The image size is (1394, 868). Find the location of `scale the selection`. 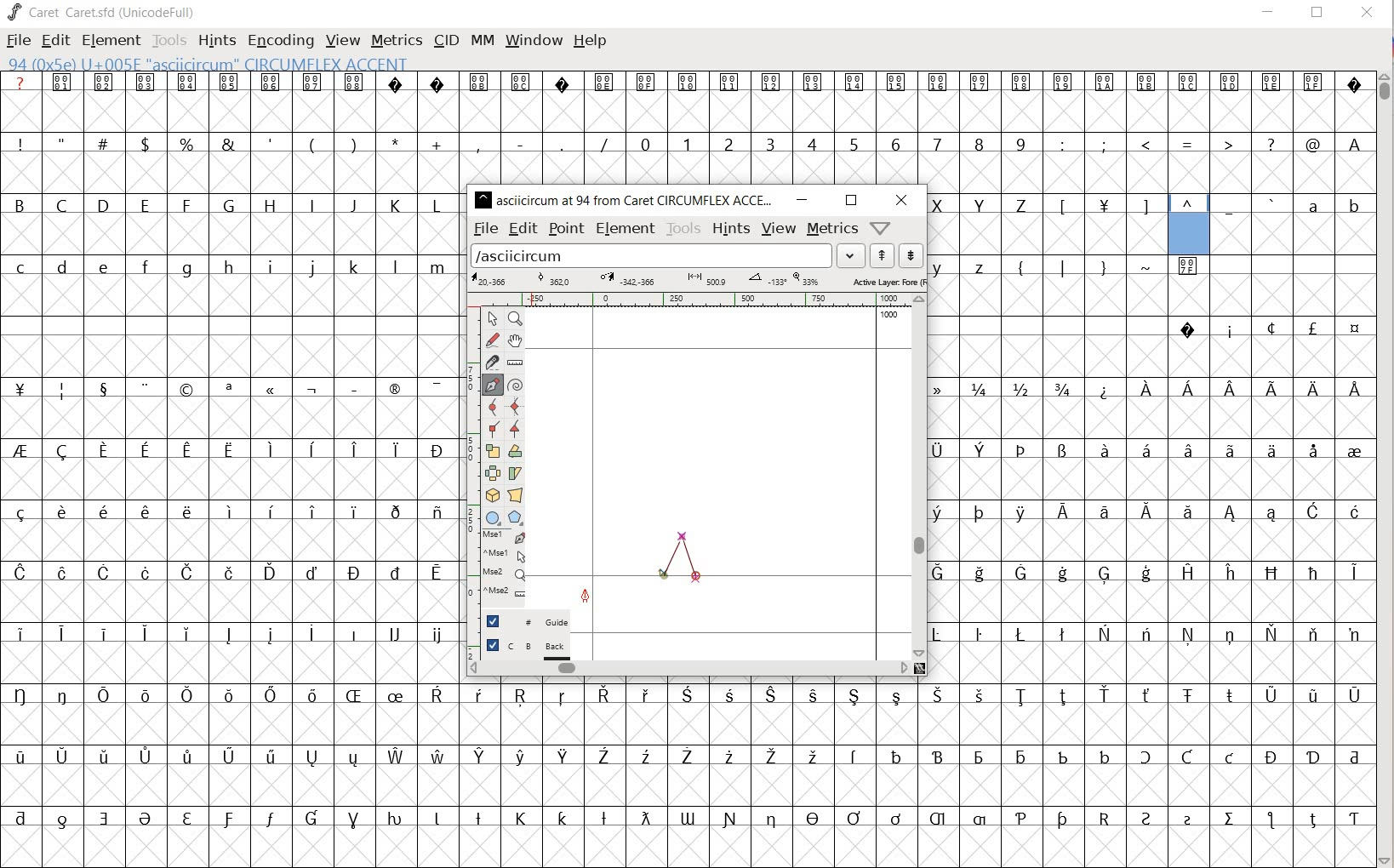

scale the selection is located at coordinates (492, 451).